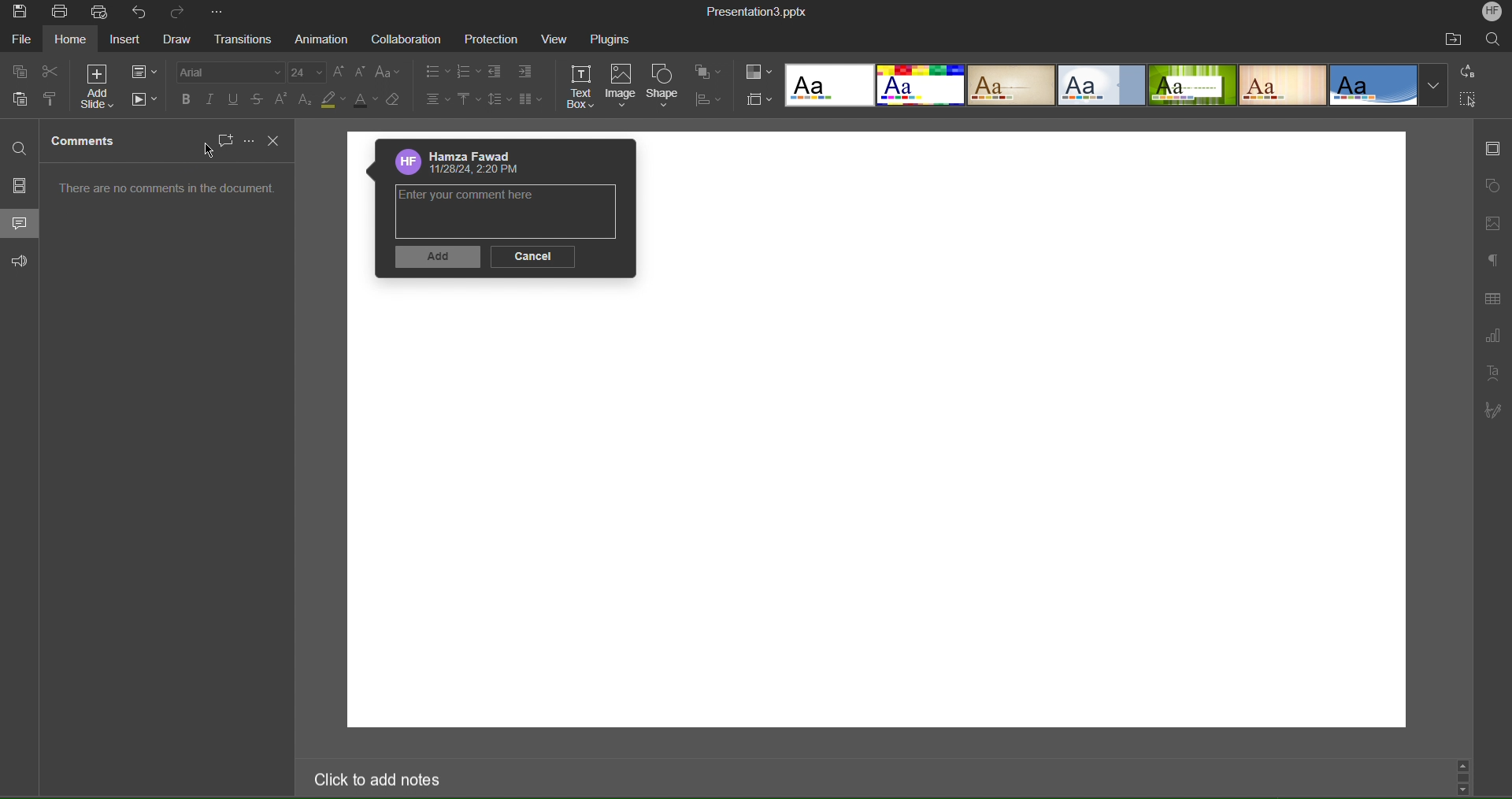 This screenshot has height=799, width=1512. I want to click on Paragraph Settings, so click(1492, 258).